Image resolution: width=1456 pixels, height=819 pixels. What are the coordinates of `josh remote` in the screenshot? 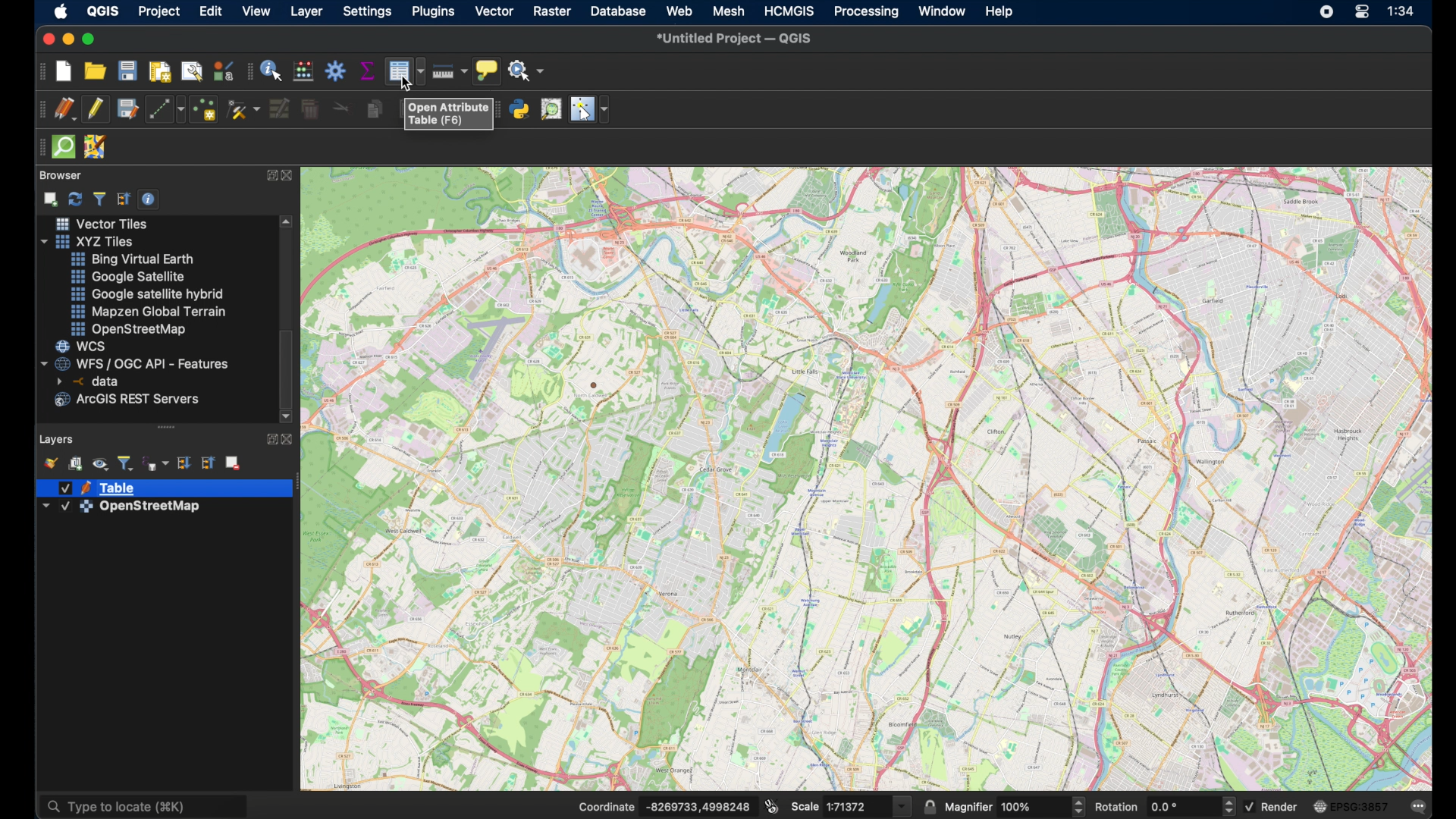 It's located at (96, 147).